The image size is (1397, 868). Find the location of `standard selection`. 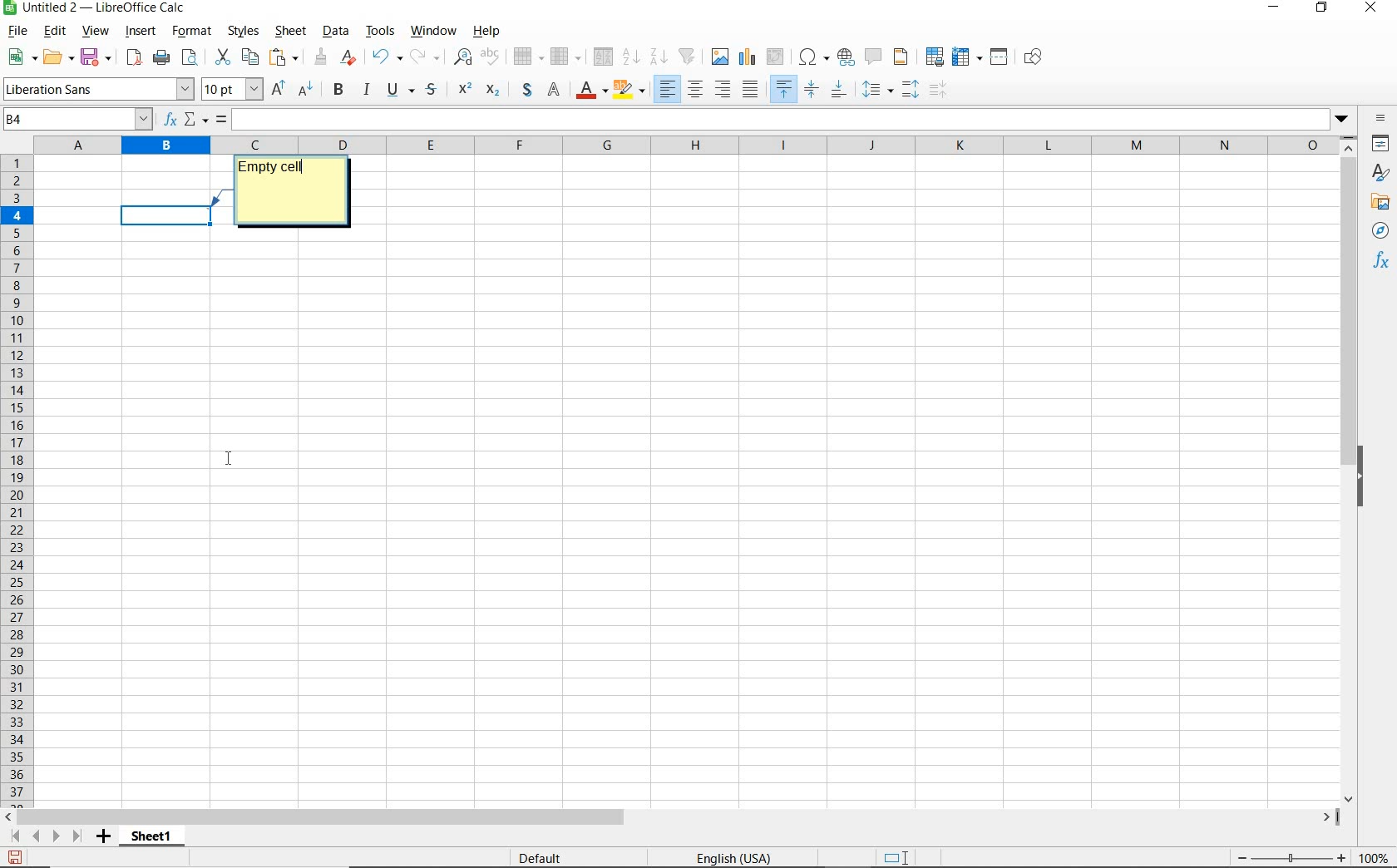

standard selection is located at coordinates (892, 857).